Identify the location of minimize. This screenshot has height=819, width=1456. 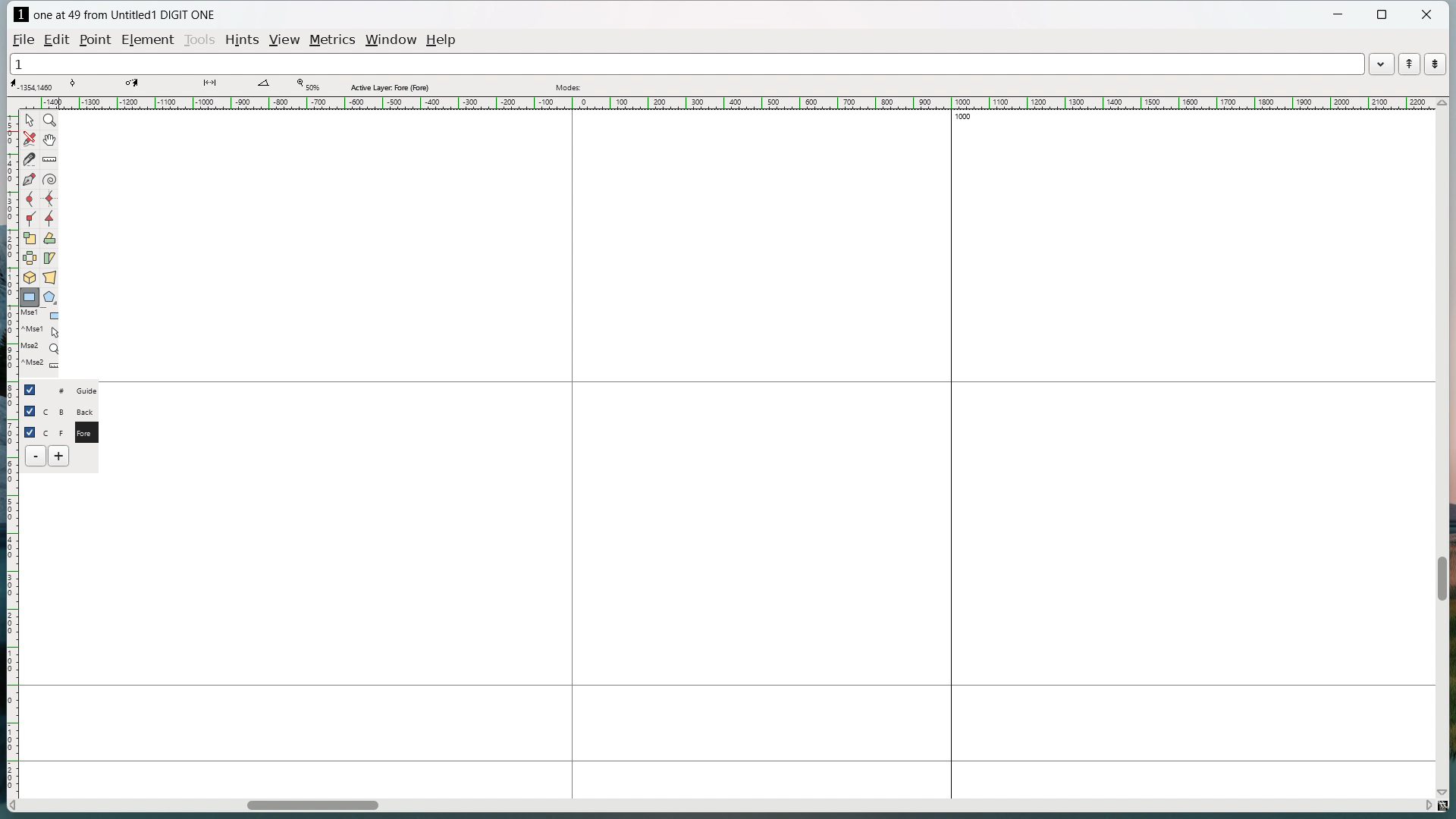
(1340, 16).